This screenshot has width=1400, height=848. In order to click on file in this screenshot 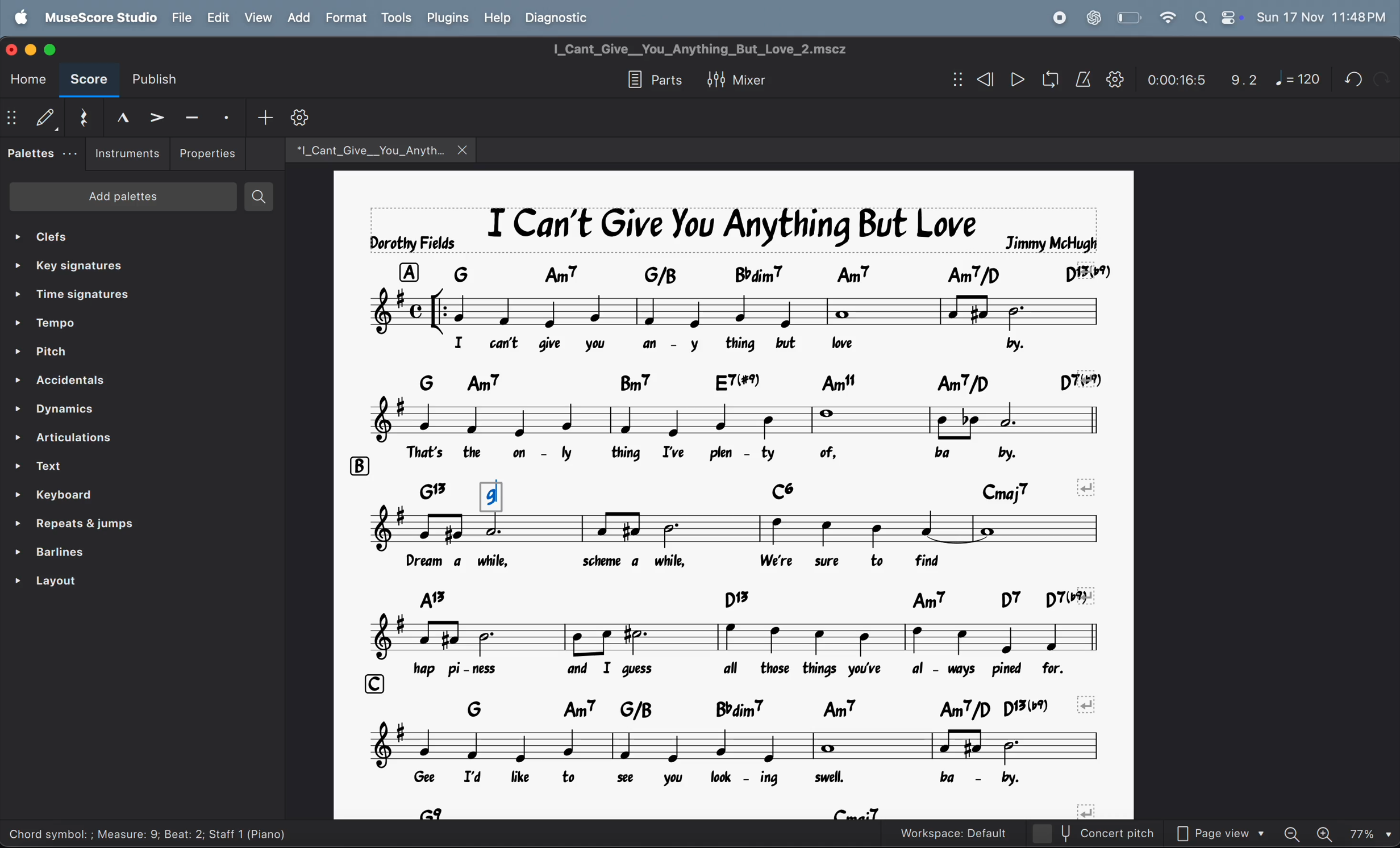, I will do `click(183, 18)`.